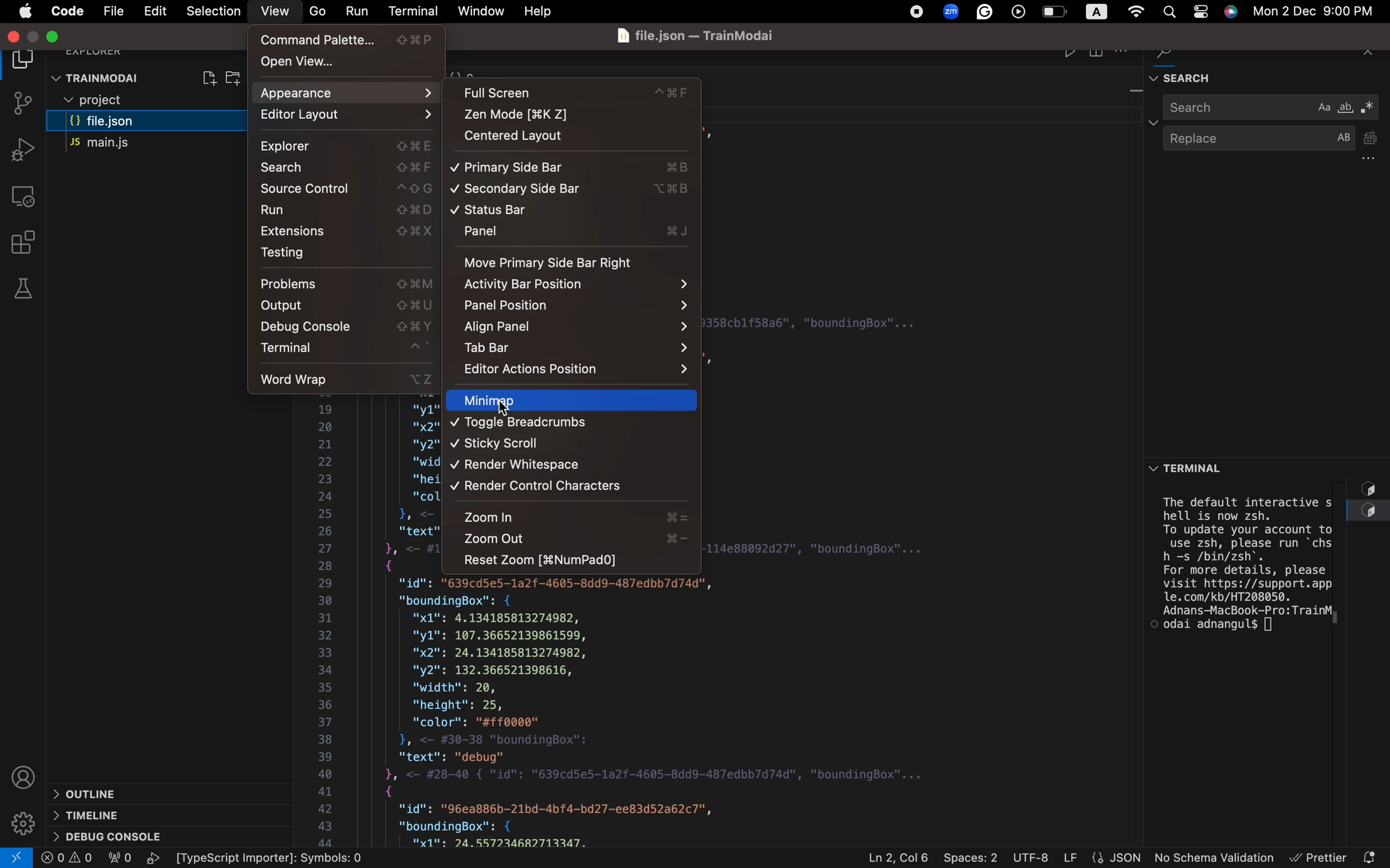 The image size is (1390, 868). Describe the element at coordinates (56, 37) in the screenshot. I see `minimize` at that location.